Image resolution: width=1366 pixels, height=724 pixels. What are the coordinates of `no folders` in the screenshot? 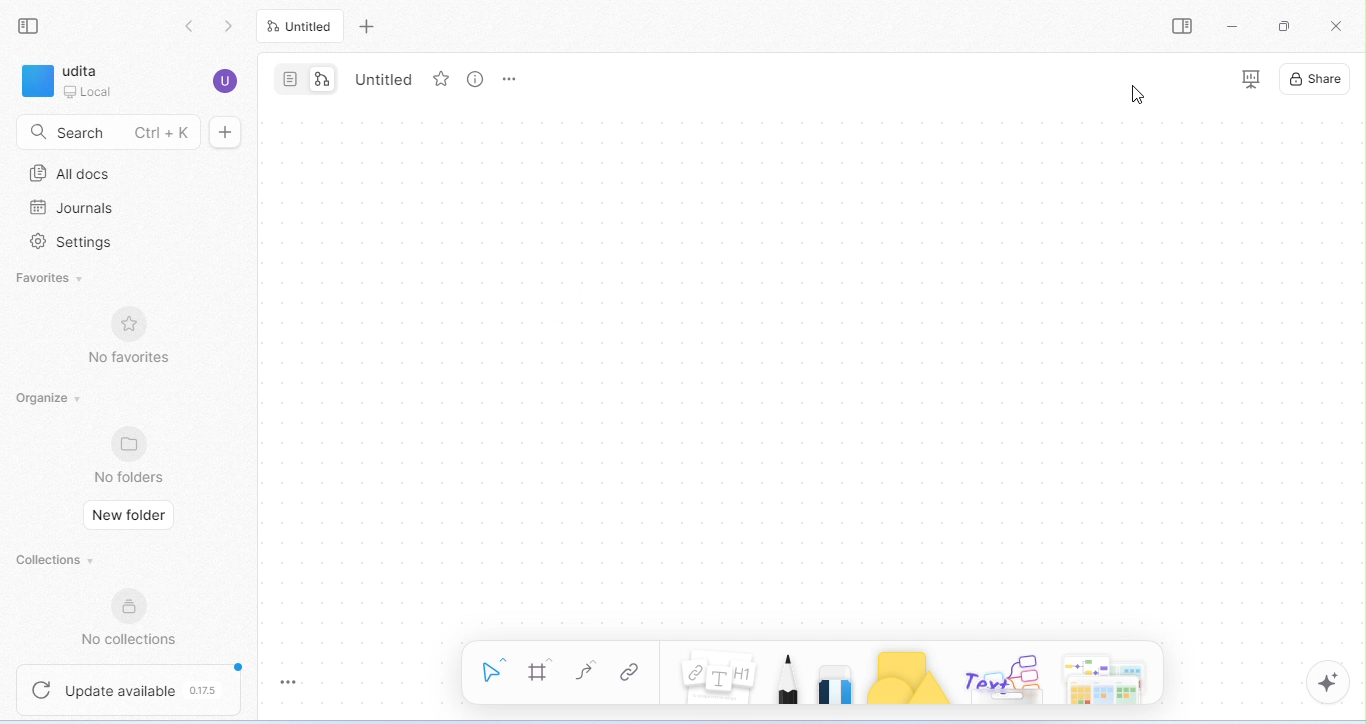 It's located at (132, 455).